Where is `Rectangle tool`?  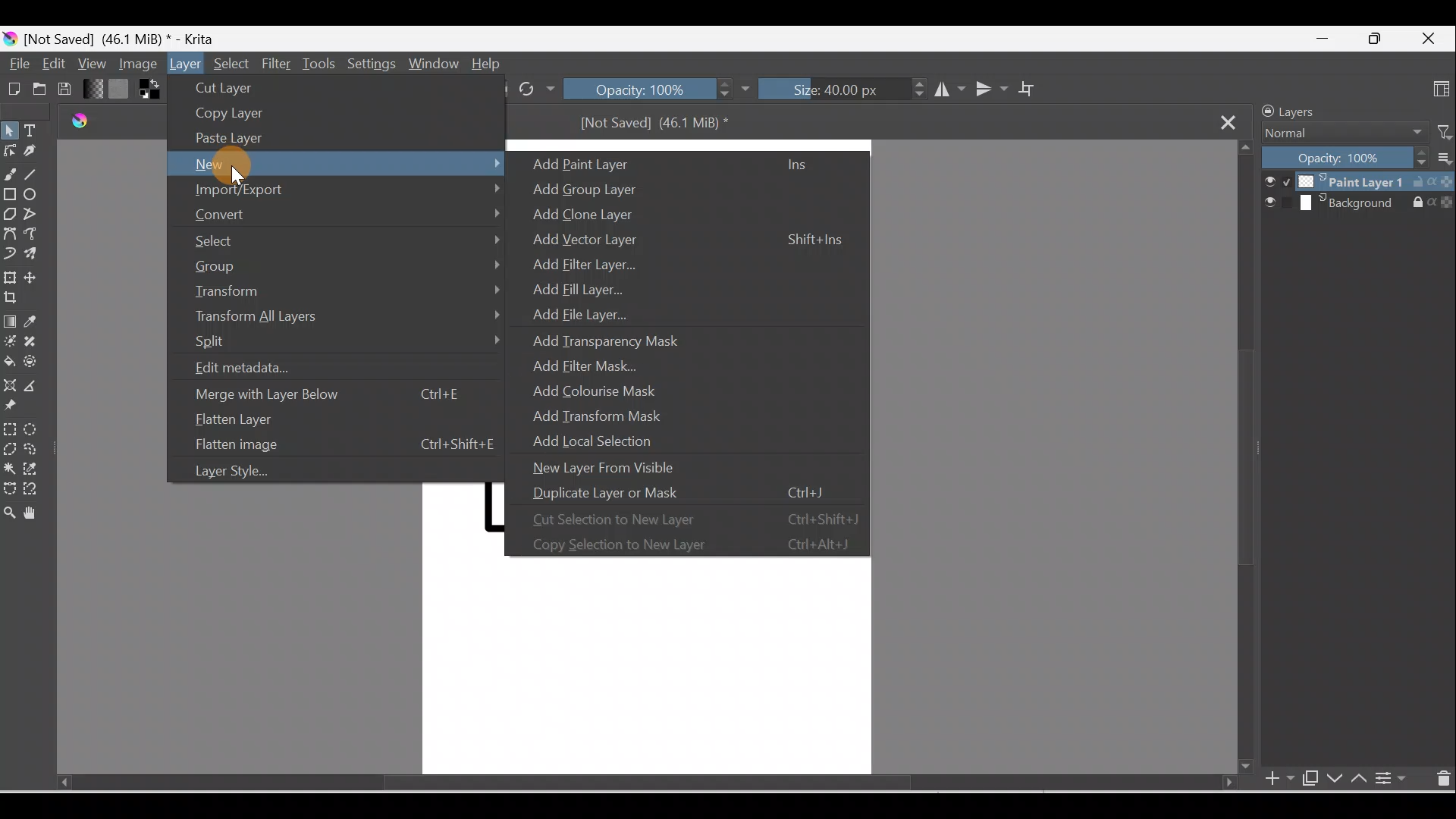
Rectangle tool is located at coordinates (11, 198).